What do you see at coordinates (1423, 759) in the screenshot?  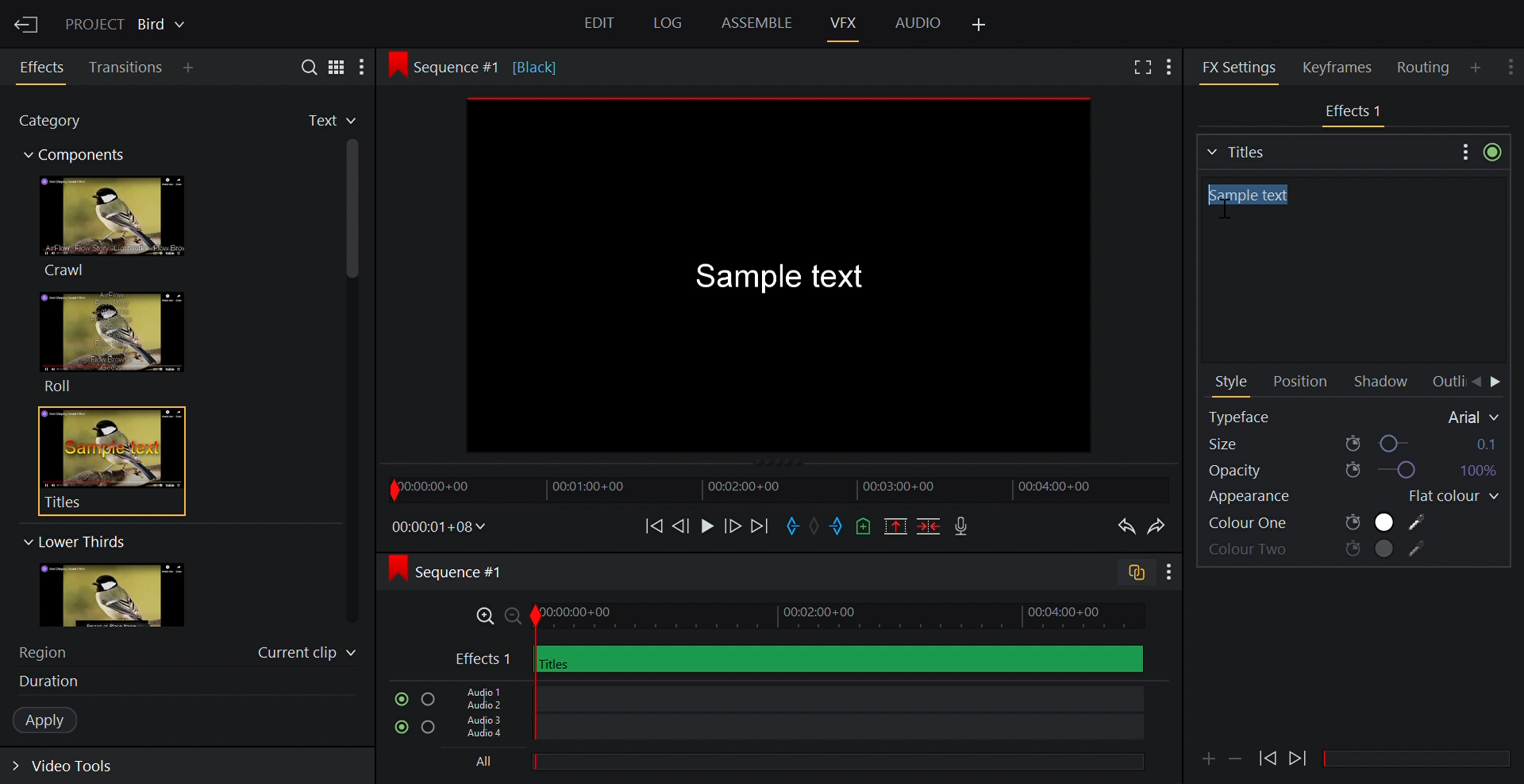 I see `Scrollbar` at bounding box center [1423, 759].